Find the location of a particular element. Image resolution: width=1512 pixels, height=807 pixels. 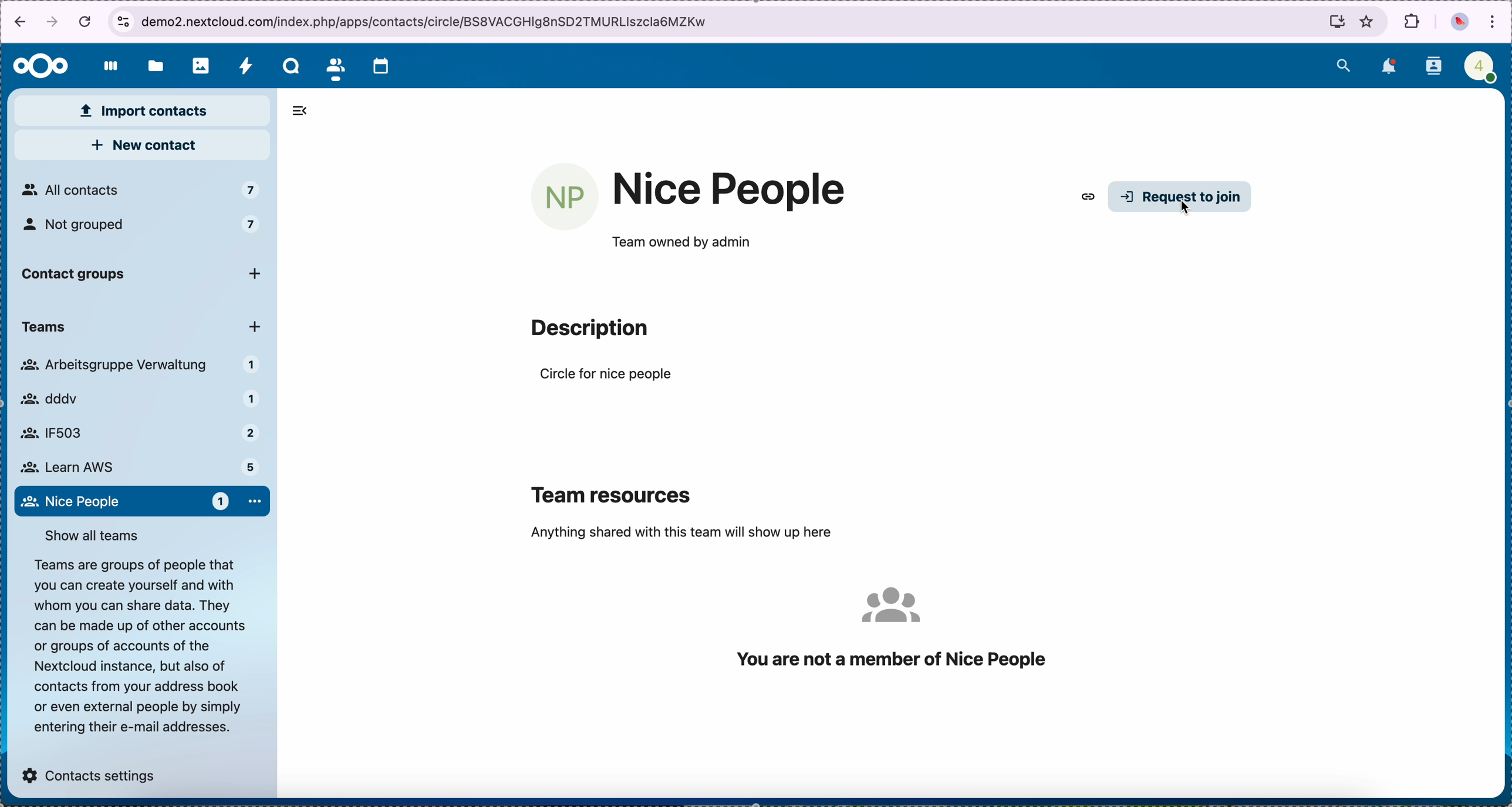

user profile is located at coordinates (1478, 65).